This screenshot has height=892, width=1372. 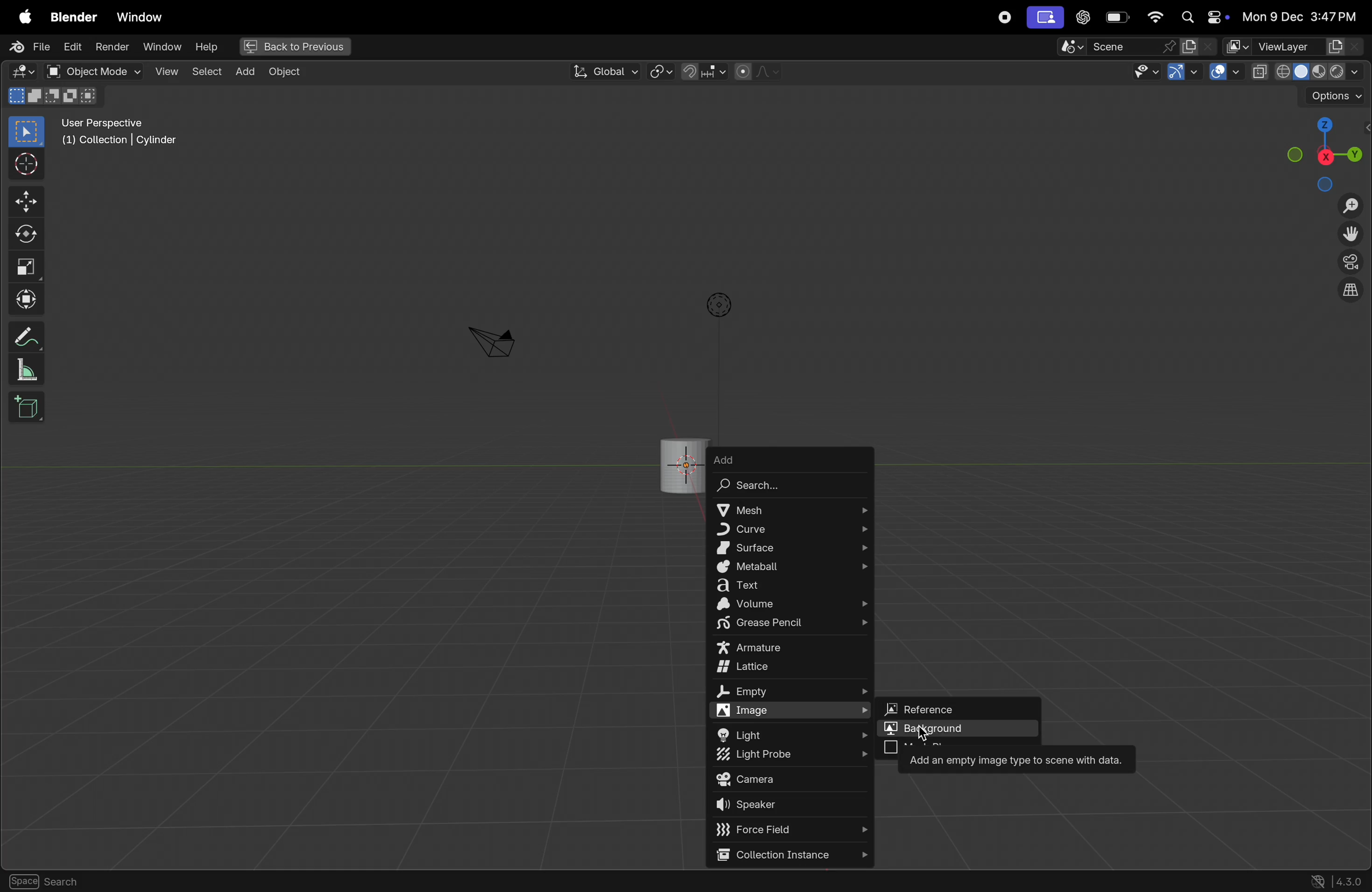 I want to click on view shading, so click(x=1305, y=71).